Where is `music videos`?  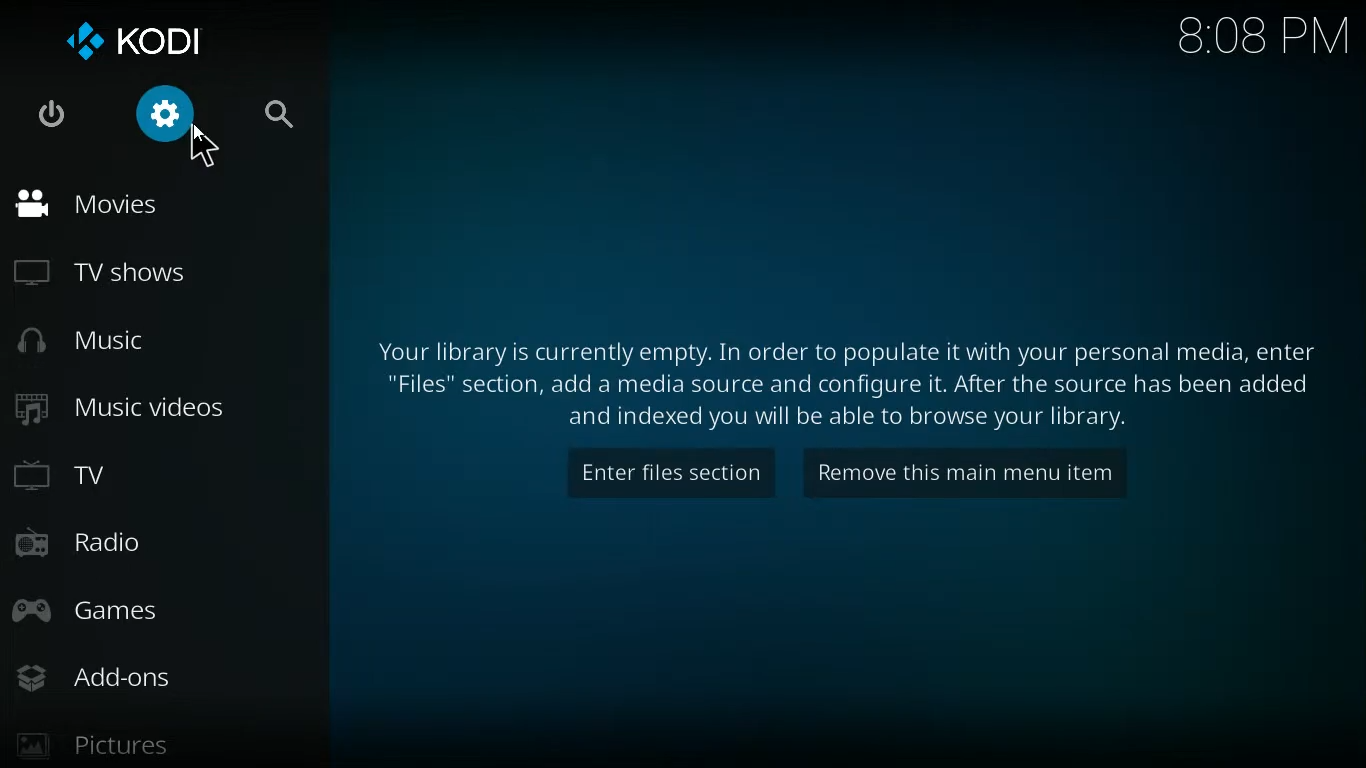 music videos is located at coordinates (126, 419).